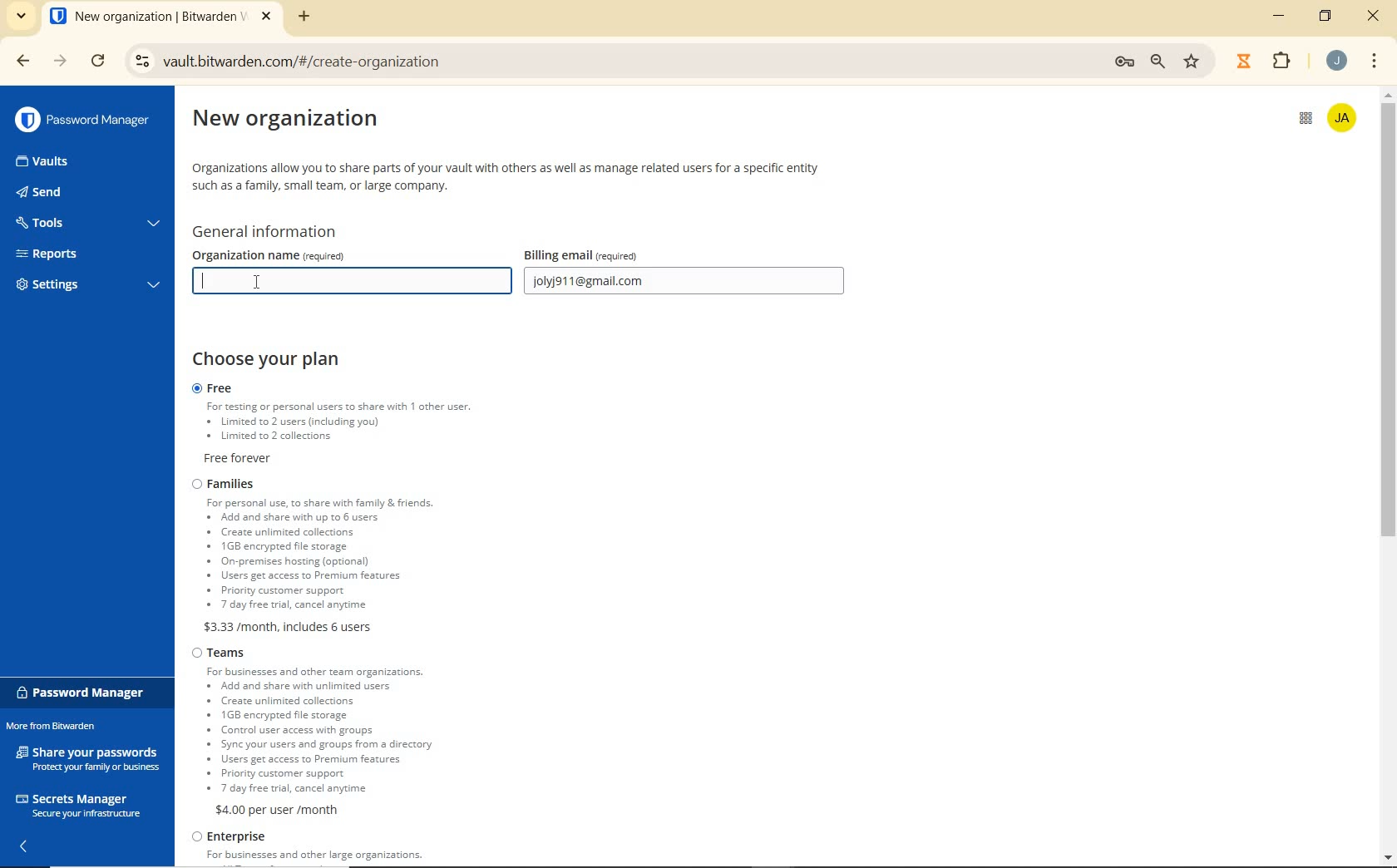 The height and width of the screenshot is (868, 1397). Describe the element at coordinates (60, 62) in the screenshot. I see `FORWARD` at that location.